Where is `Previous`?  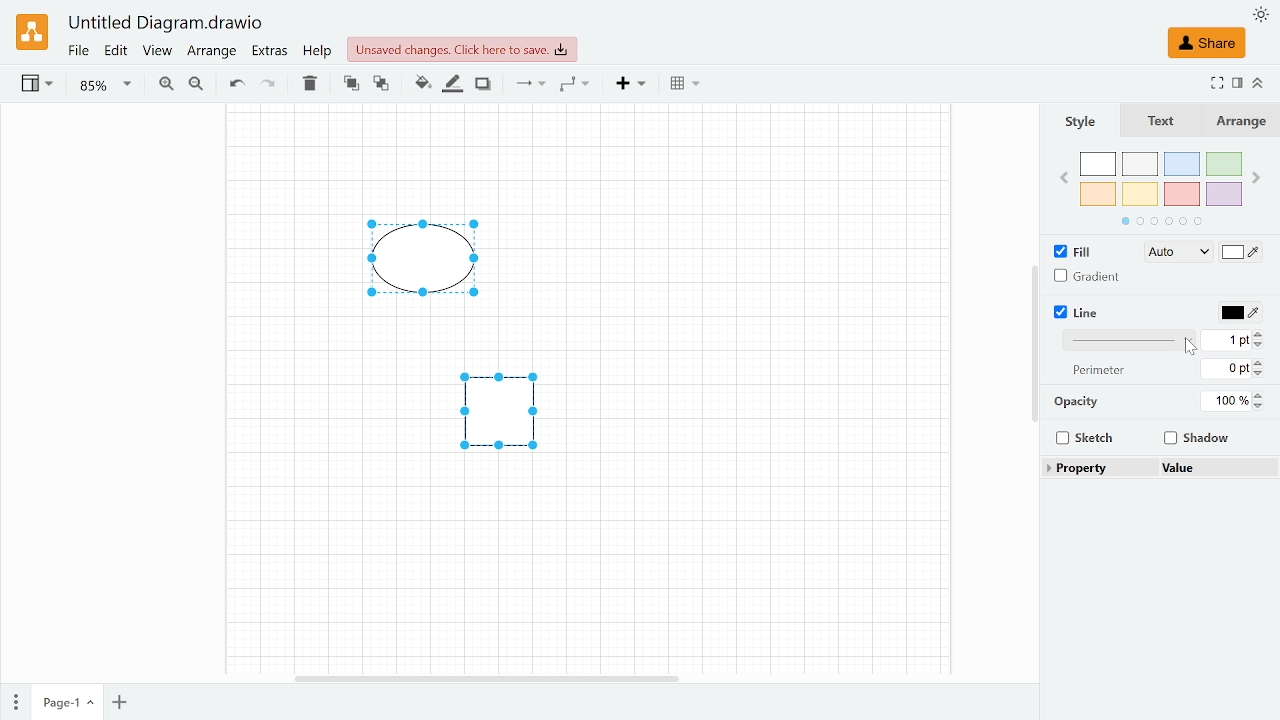
Previous is located at coordinates (1062, 177).